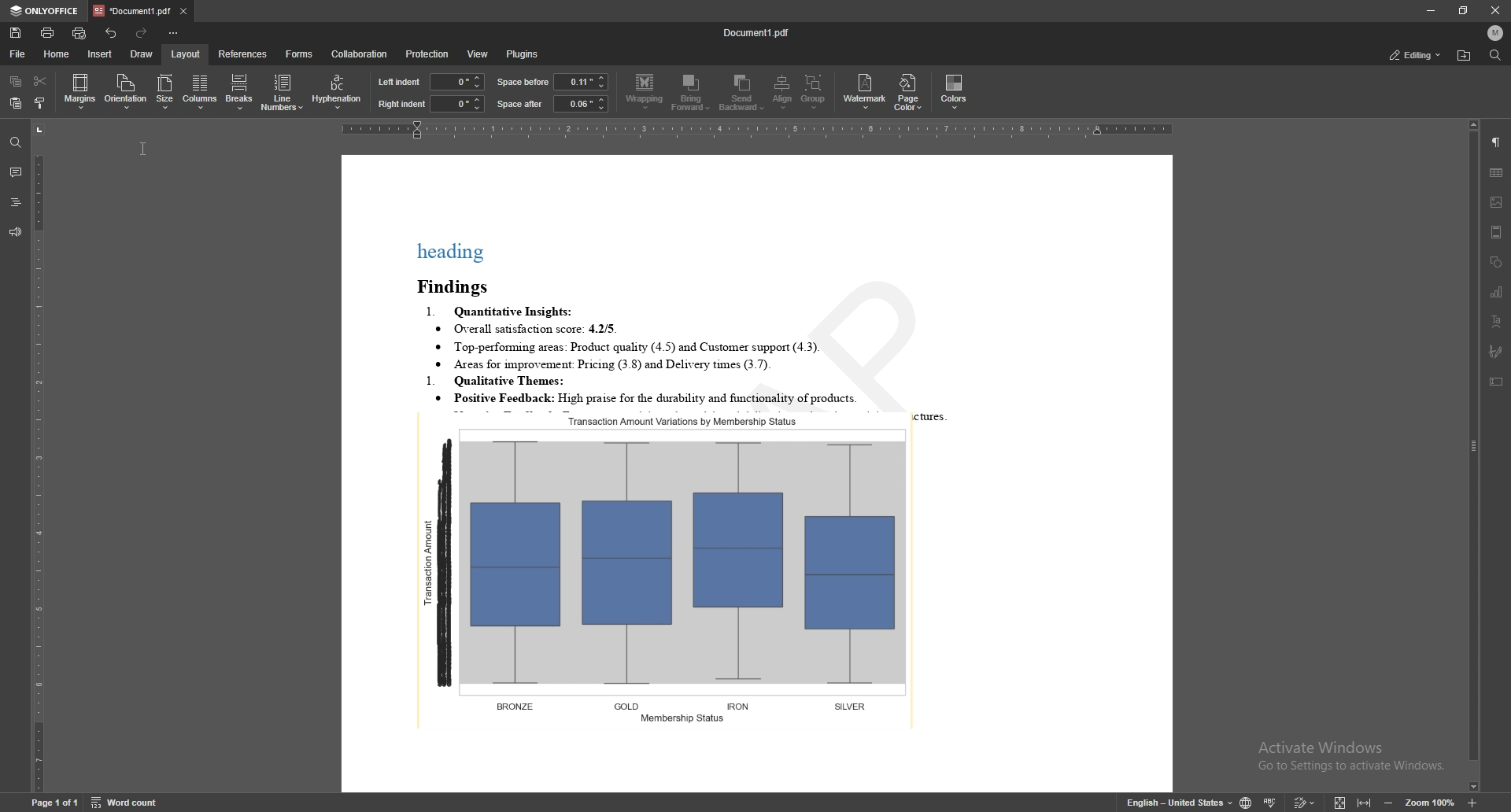 Image resolution: width=1511 pixels, height=812 pixels. I want to click on references, so click(244, 54).